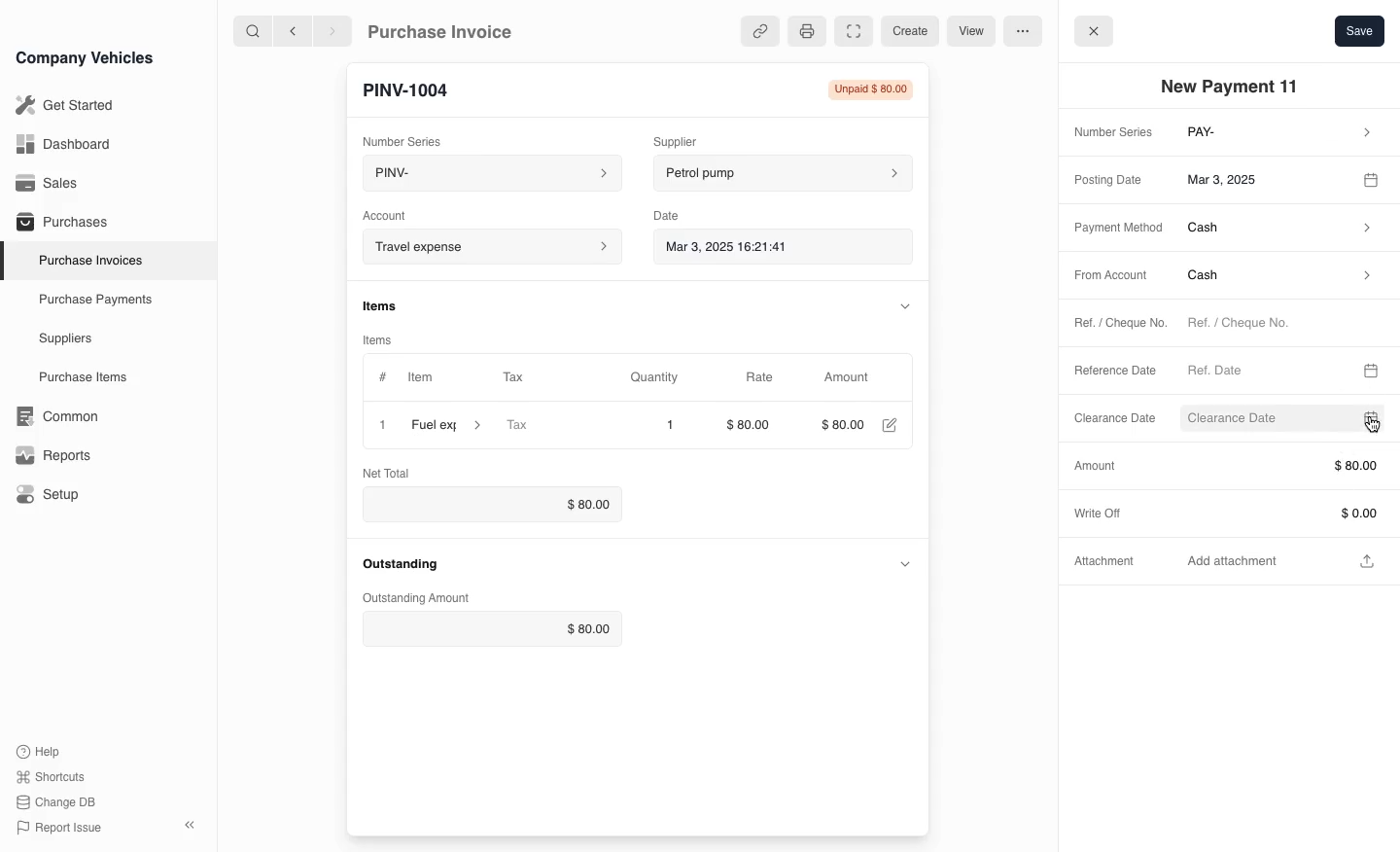  Describe the element at coordinates (192, 823) in the screenshot. I see `close sidebar` at that location.